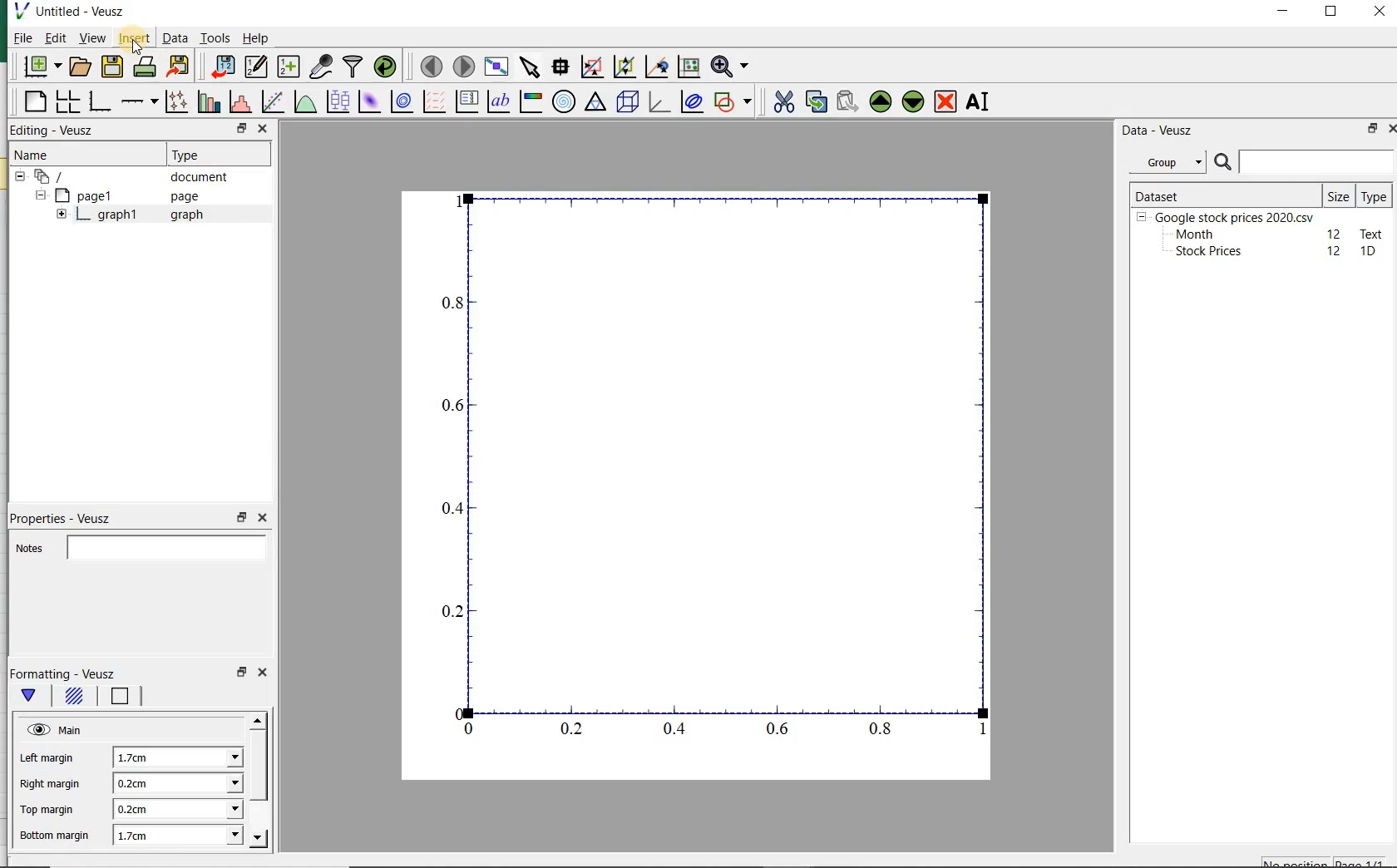 Image resolution: width=1397 pixels, height=868 pixels. Describe the element at coordinates (913, 101) in the screenshot. I see `move the selected widget down` at that location.